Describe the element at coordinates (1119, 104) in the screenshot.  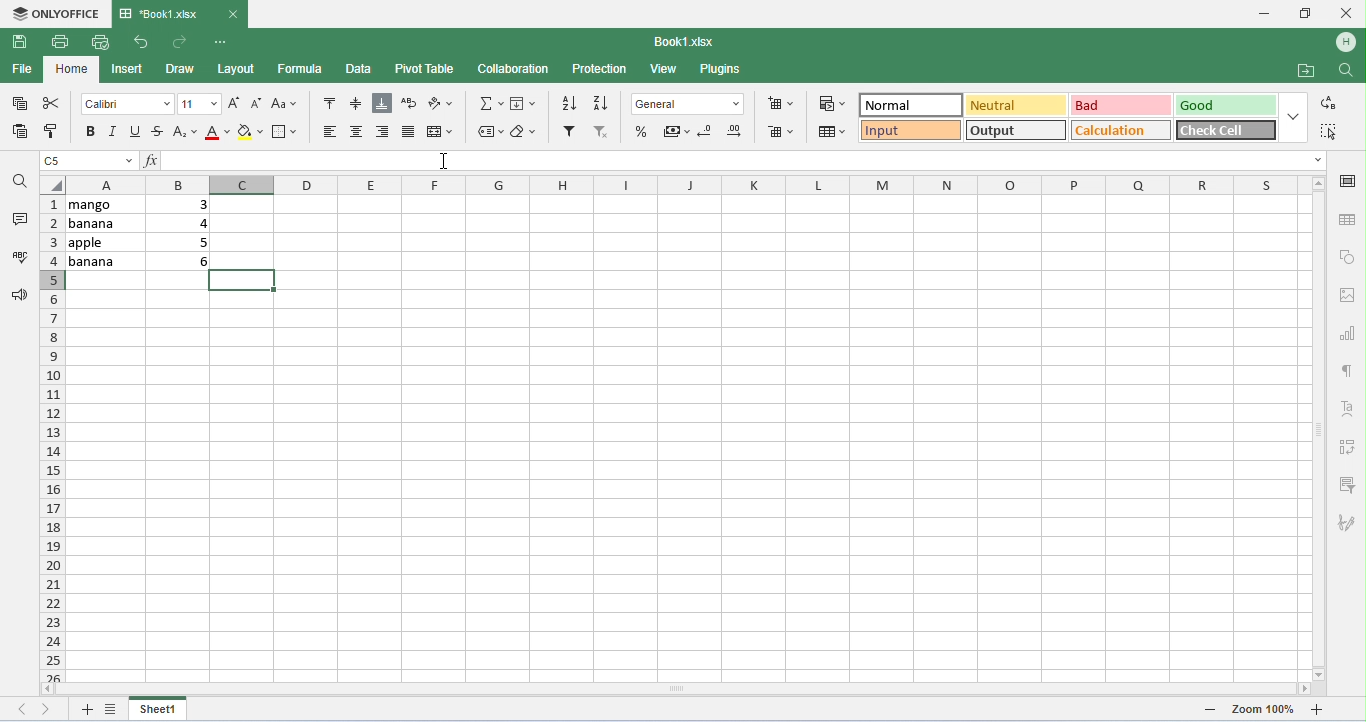
I see `bad` at that location.